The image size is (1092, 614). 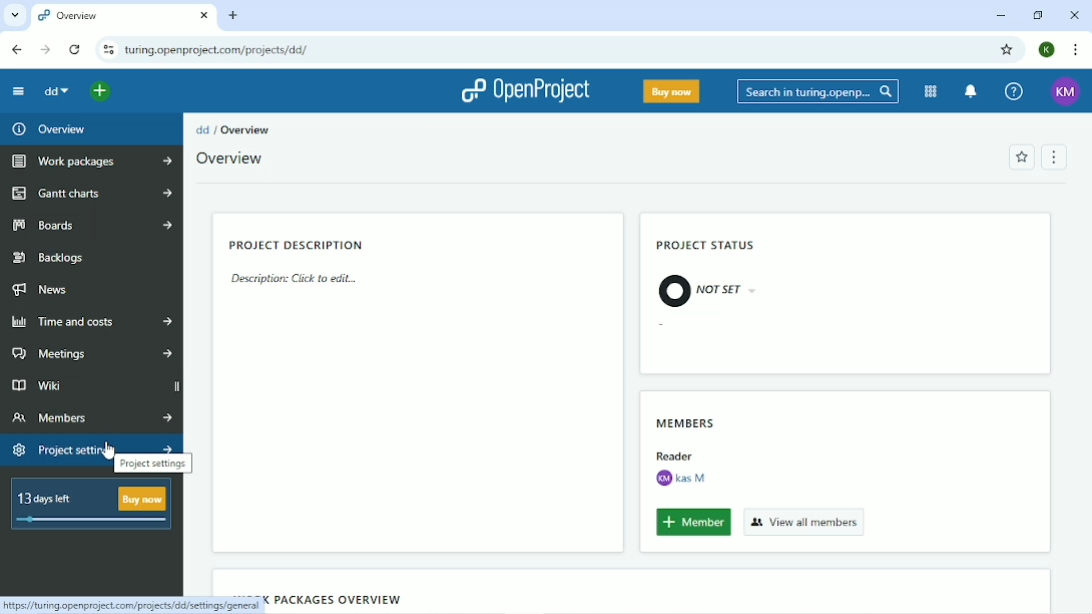 What do you see at coordinates (691, 522) in the screenshot?
I see `Member` at bounding box center [691, 522].